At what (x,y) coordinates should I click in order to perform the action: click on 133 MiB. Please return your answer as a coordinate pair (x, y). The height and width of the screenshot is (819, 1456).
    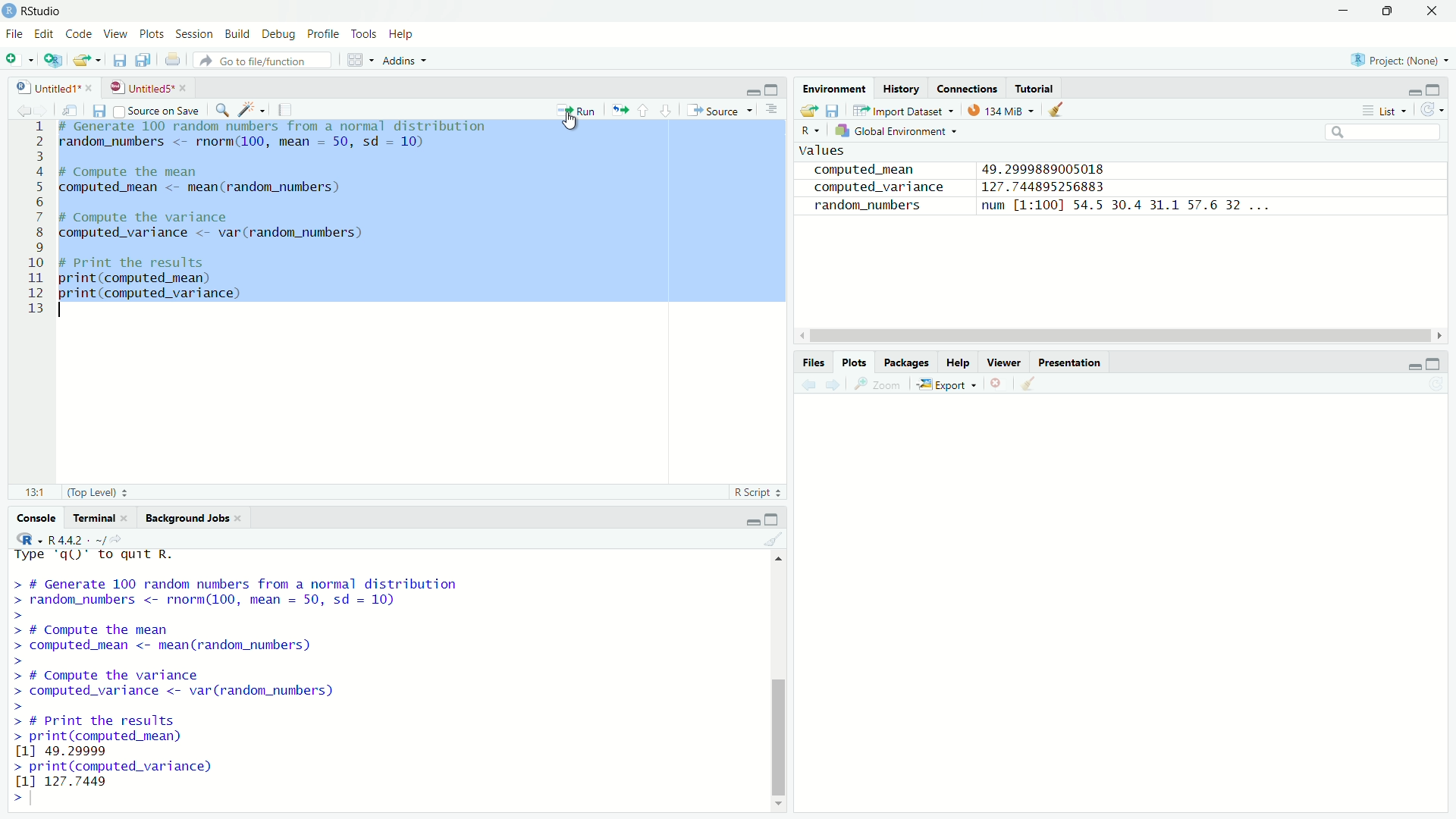
    Looking at the image, I should click on (999, 109).